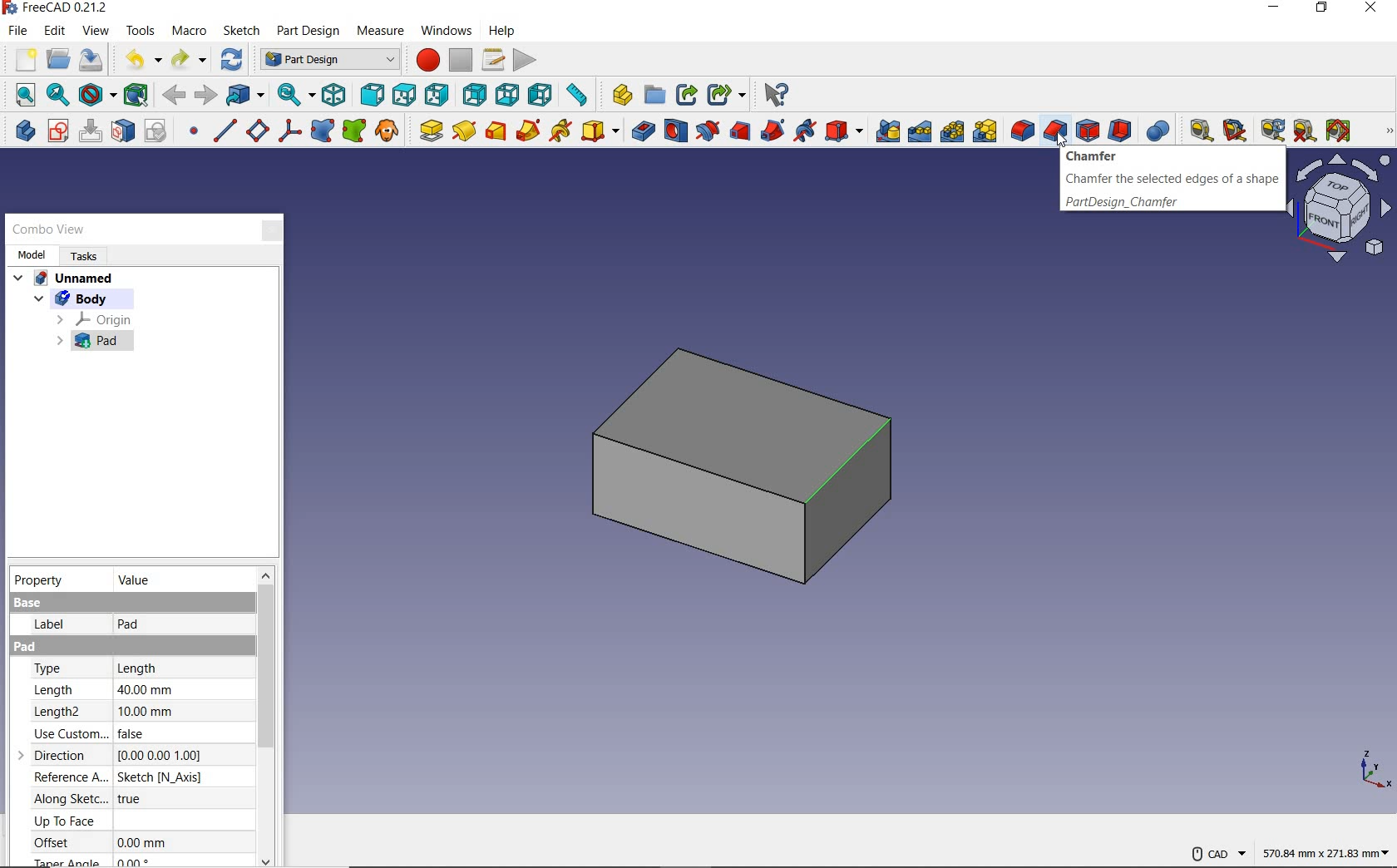 This screenshot has height=868, width=1397. I want to click on create a clone, so click(390, 131).